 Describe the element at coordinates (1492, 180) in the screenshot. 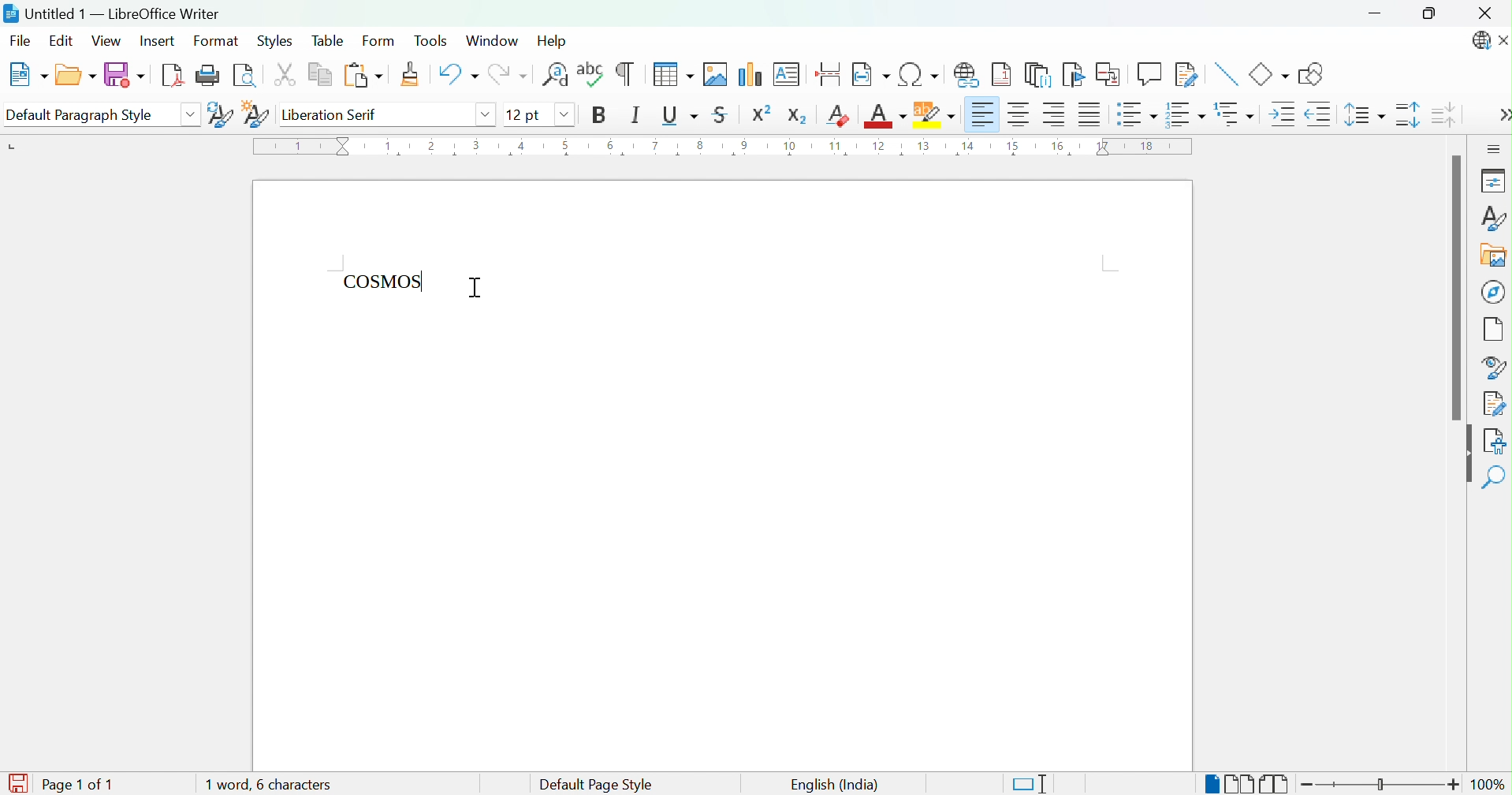

I see `Properties` at that location.